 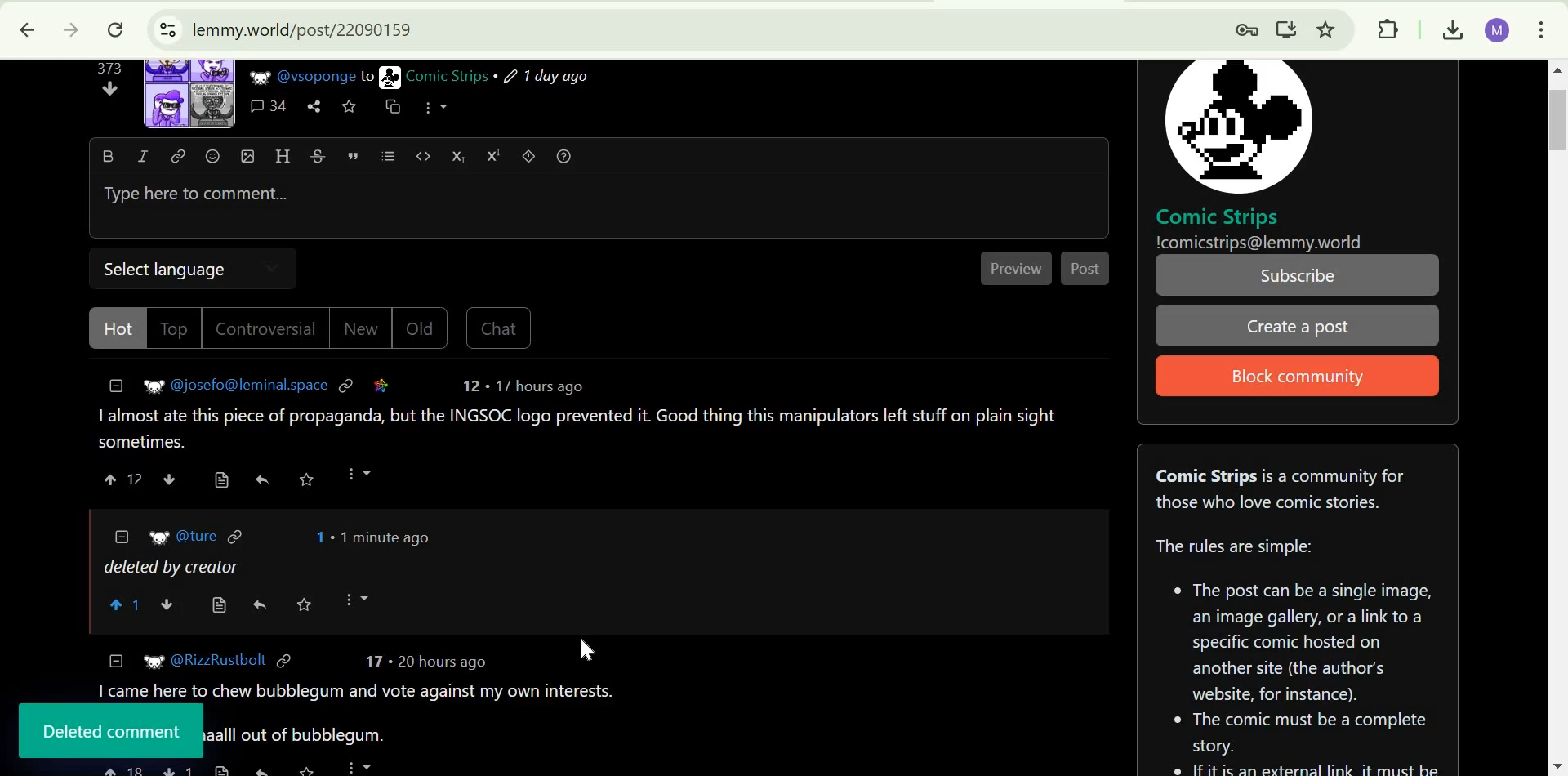 I want to click on subscript, so click(x=458, y=155).